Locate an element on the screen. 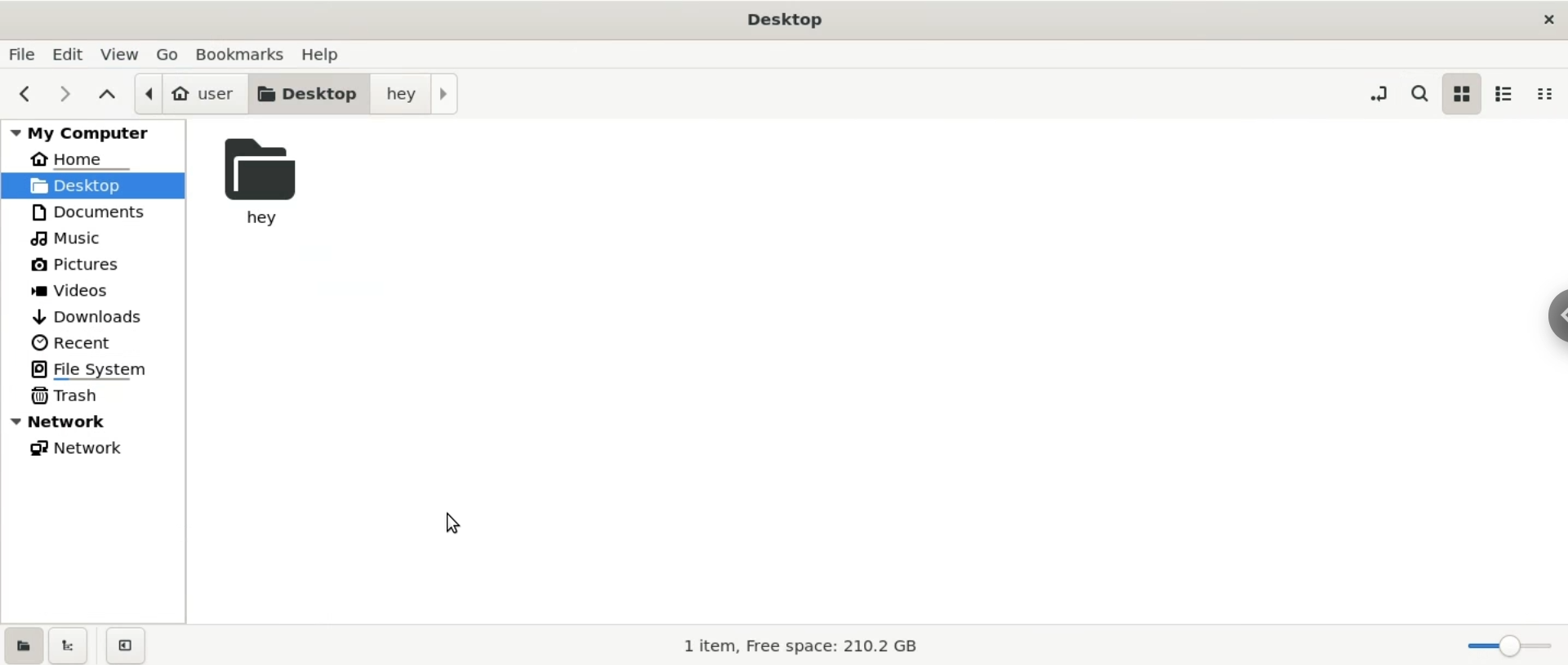 This screenshot has height=665, width=1568. icon view is located at coordinates (1461, 96).